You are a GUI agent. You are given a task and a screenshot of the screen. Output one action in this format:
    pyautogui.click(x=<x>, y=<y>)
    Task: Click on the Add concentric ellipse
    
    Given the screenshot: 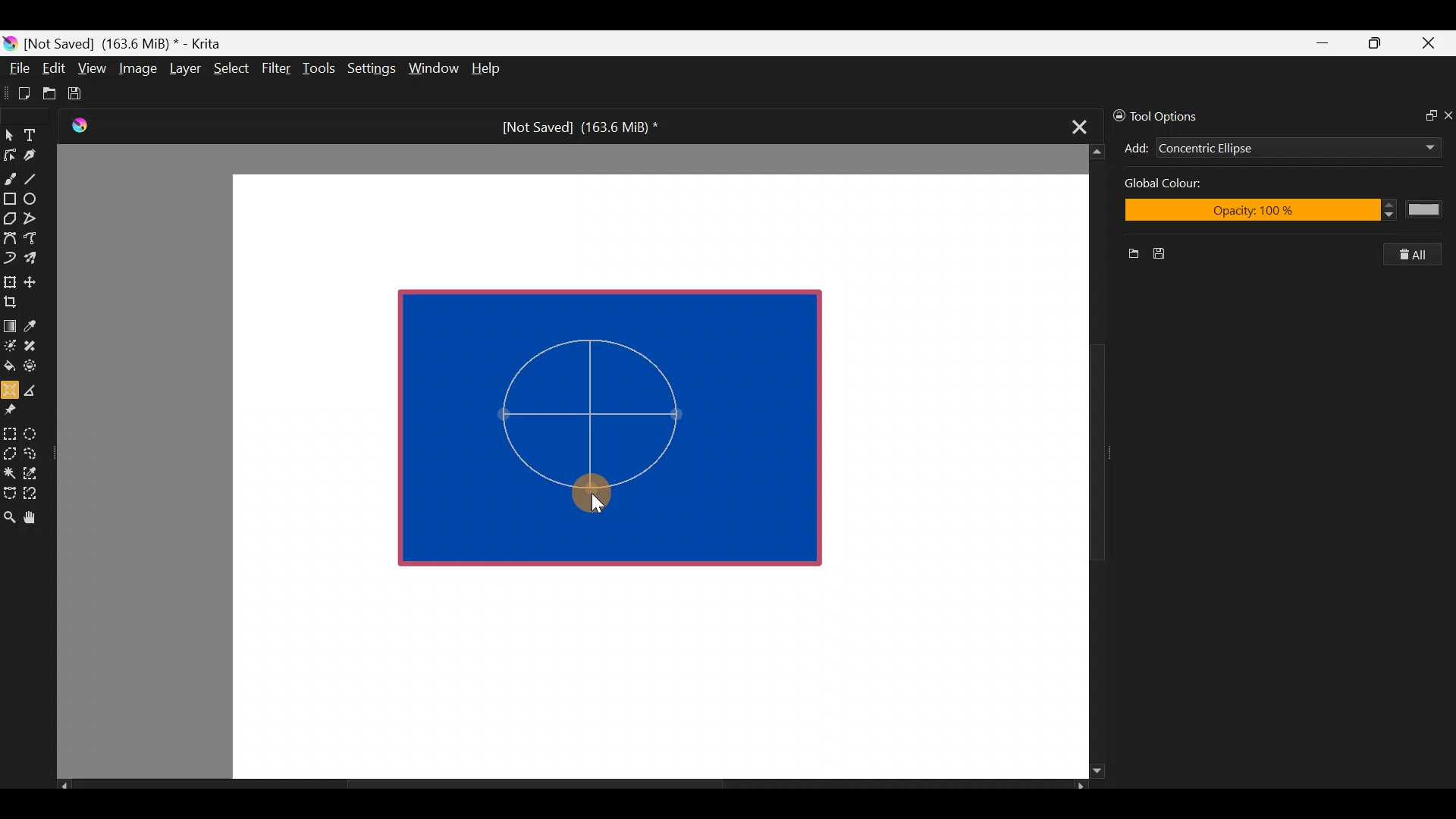 What is the action you would take?
    pyautogui.click(x=1134, y=146)
    